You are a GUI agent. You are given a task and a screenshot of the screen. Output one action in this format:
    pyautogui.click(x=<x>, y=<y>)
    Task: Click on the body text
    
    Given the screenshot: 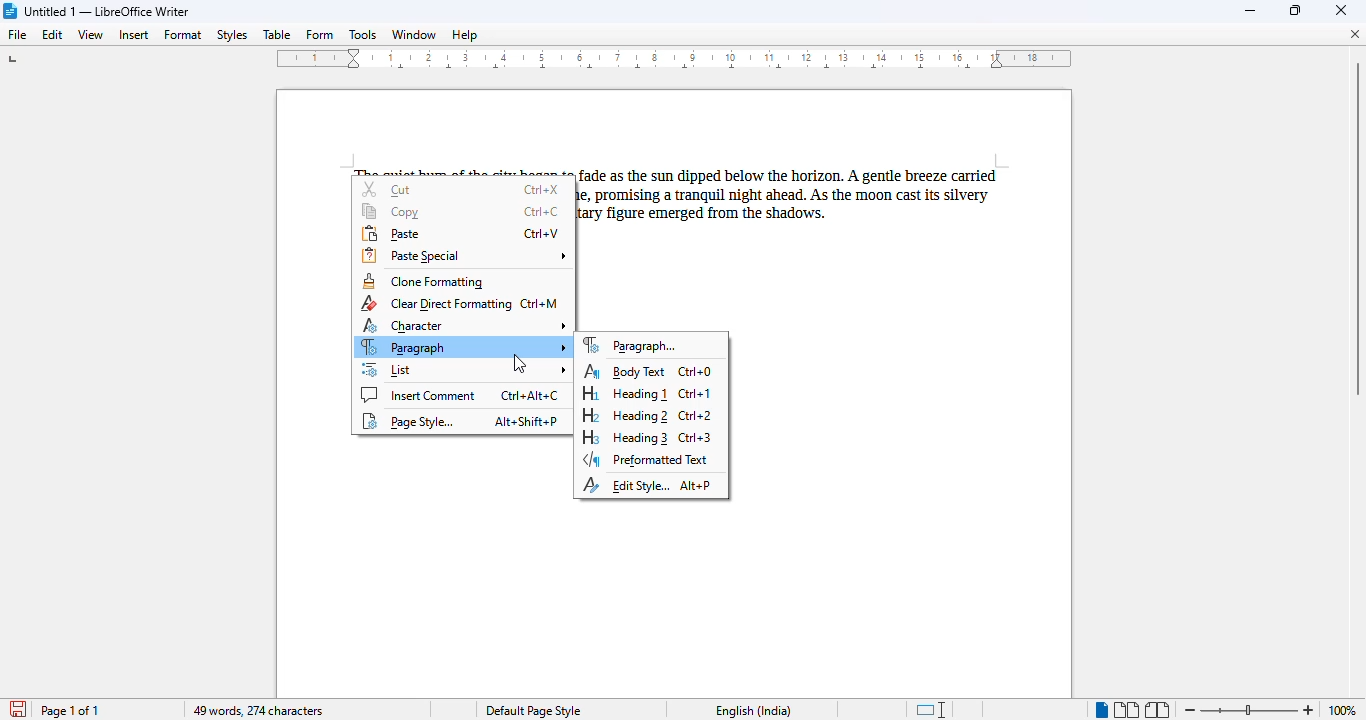 What is the action you would take?
    pyautogui.click(x=648, y=371)
    